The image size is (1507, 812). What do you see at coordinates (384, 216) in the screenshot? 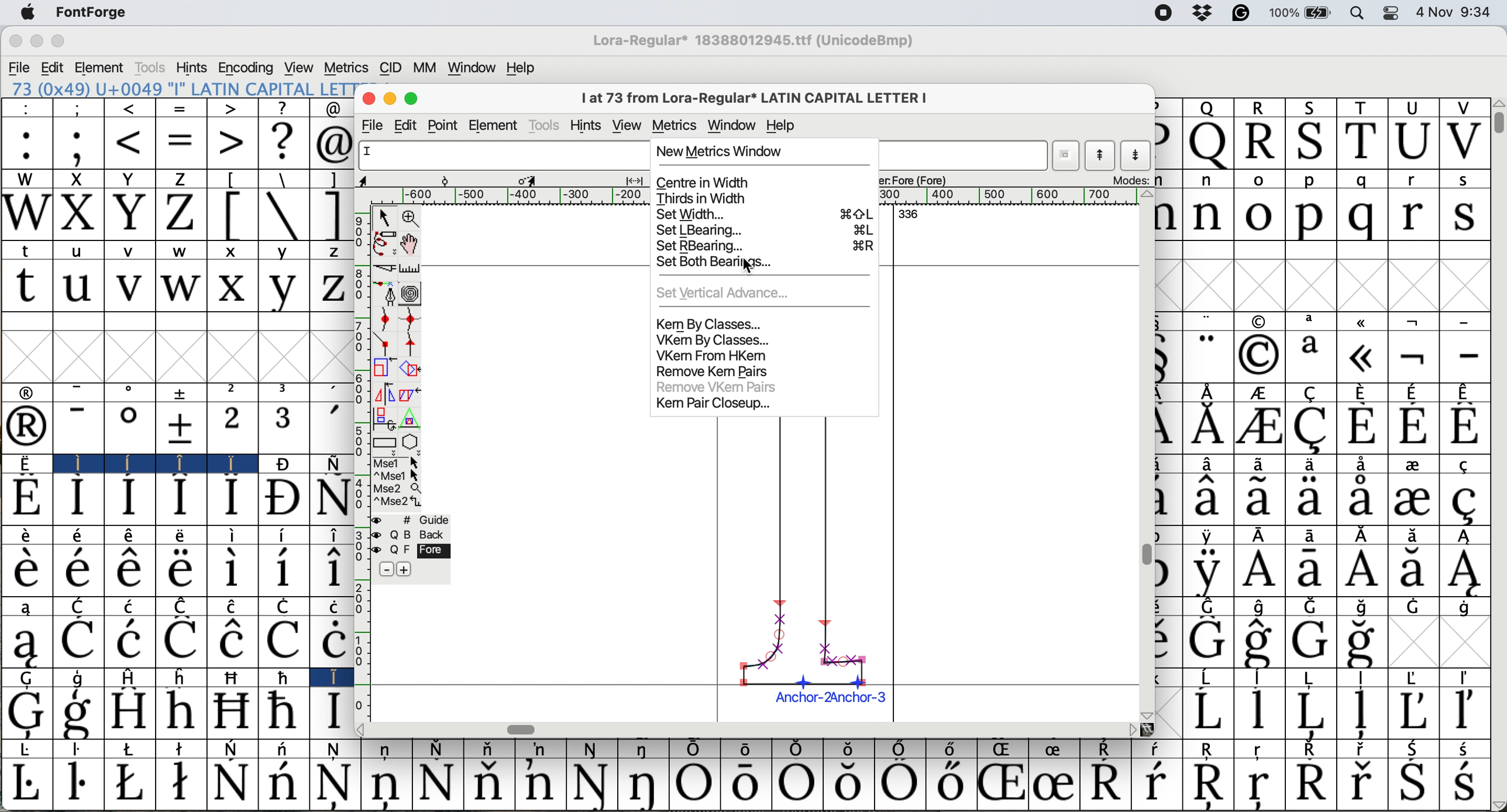
I see `selector` at bounding box center [384, 216].